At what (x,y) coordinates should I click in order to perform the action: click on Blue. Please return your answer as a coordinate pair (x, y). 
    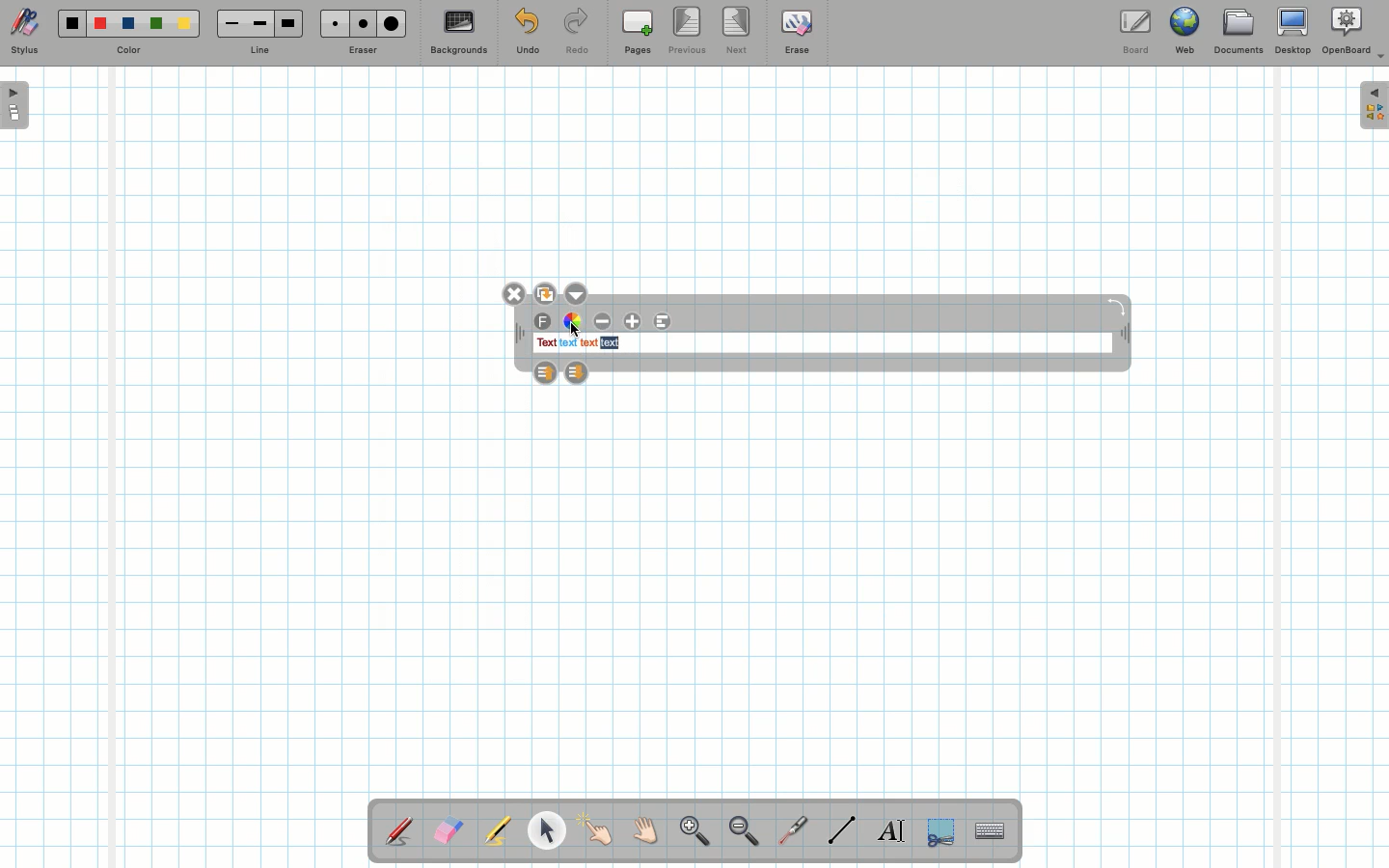
    Looking at the image, I should click on (129, 24).